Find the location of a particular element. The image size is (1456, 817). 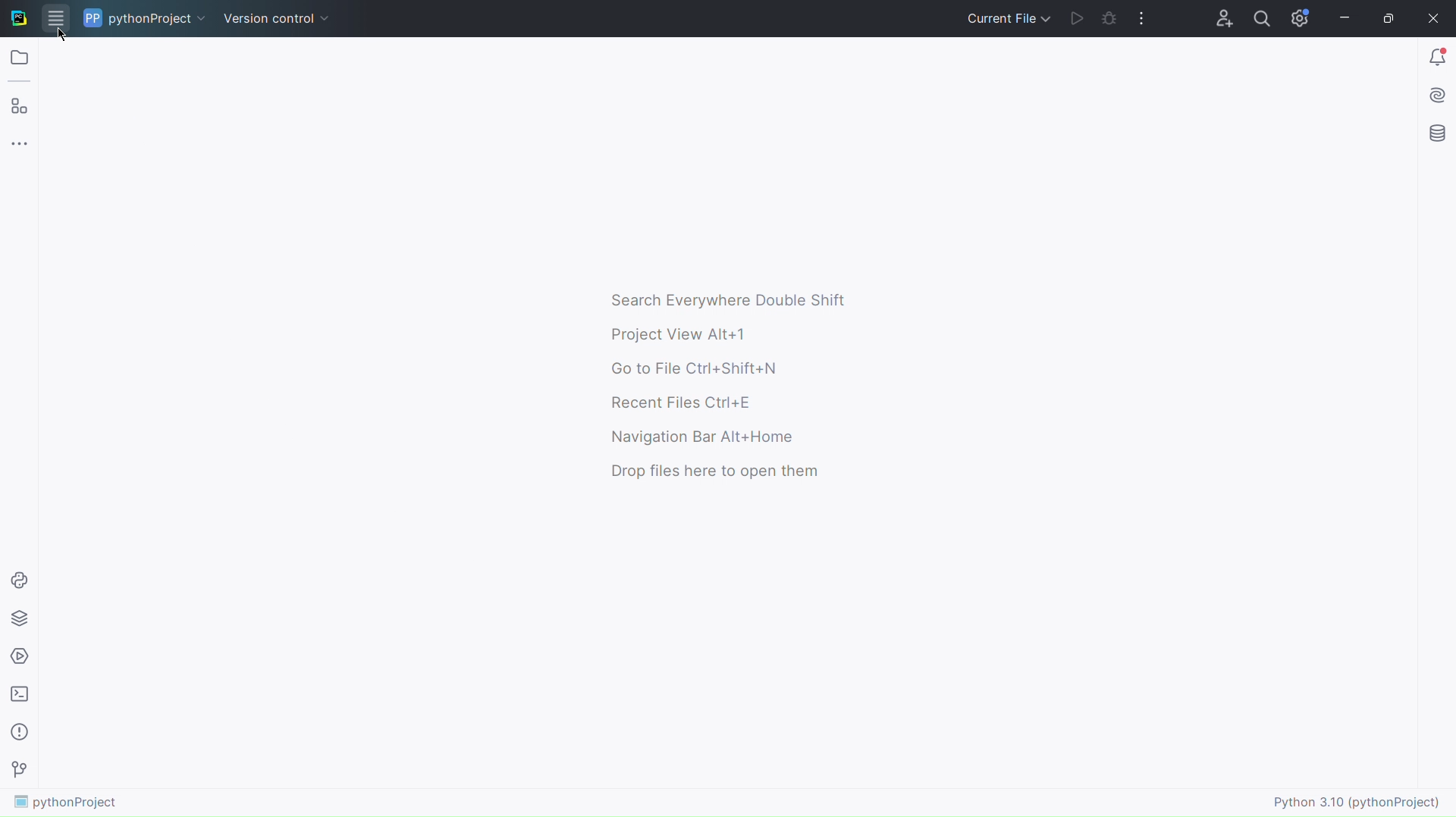

pythonProject is located at coordinates (146, 17).